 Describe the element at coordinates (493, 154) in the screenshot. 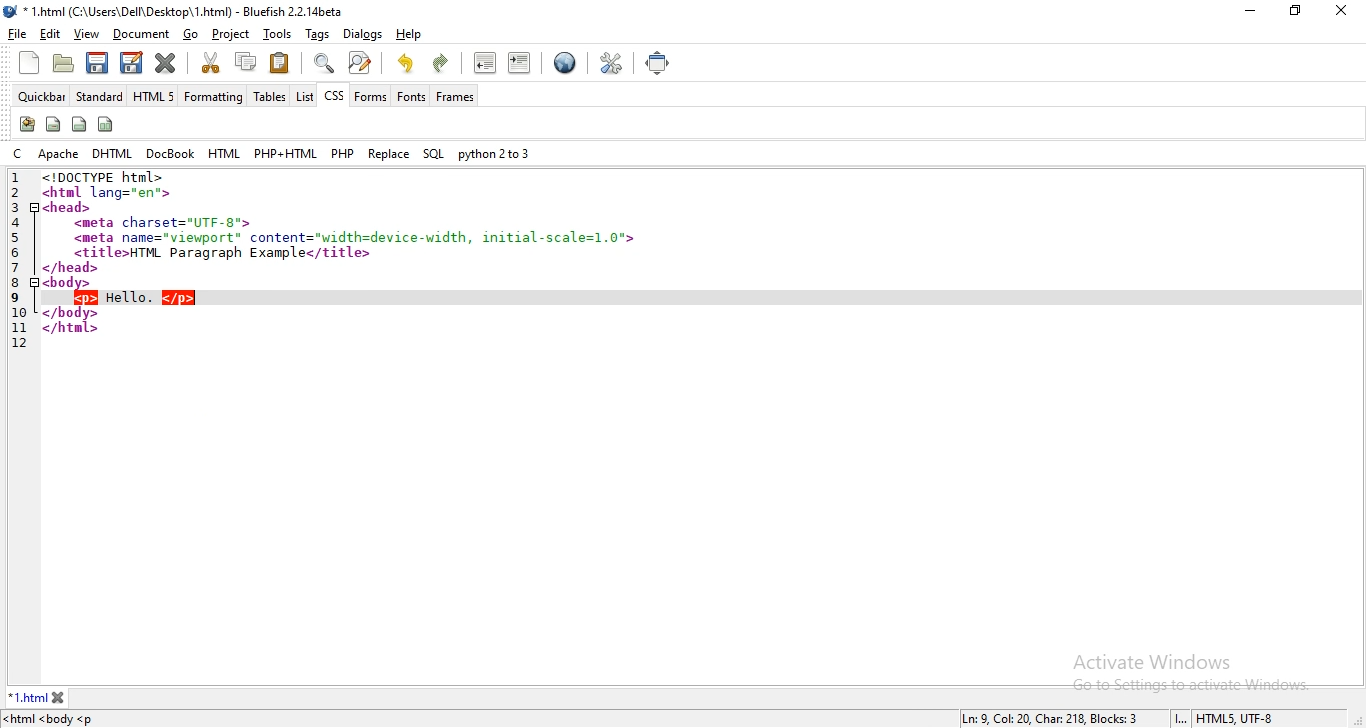

I see `python 2 to 3` at that location.